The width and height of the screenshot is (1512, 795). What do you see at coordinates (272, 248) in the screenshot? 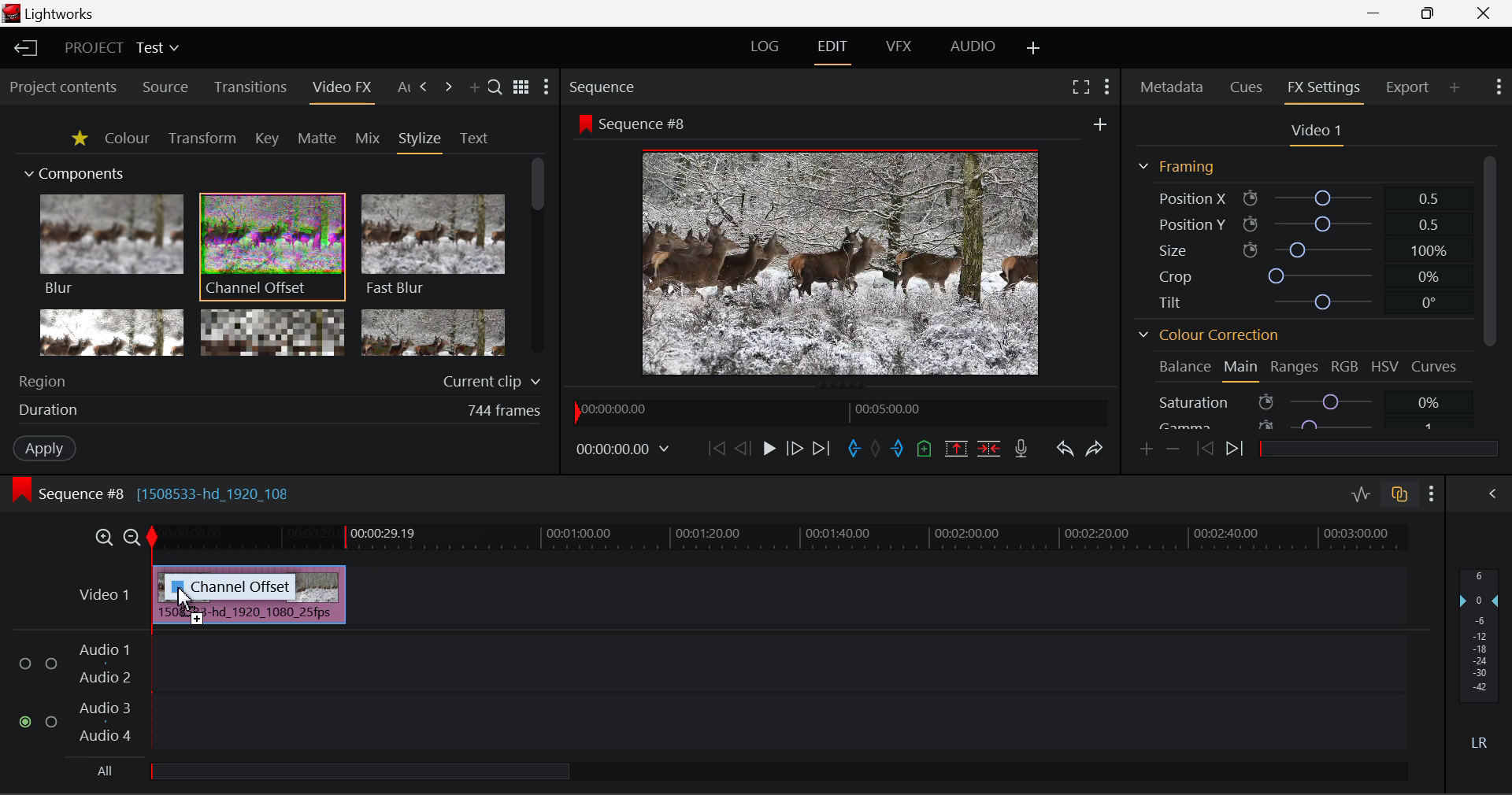
I see `Channel Offset` at bounding box center [272, 248].